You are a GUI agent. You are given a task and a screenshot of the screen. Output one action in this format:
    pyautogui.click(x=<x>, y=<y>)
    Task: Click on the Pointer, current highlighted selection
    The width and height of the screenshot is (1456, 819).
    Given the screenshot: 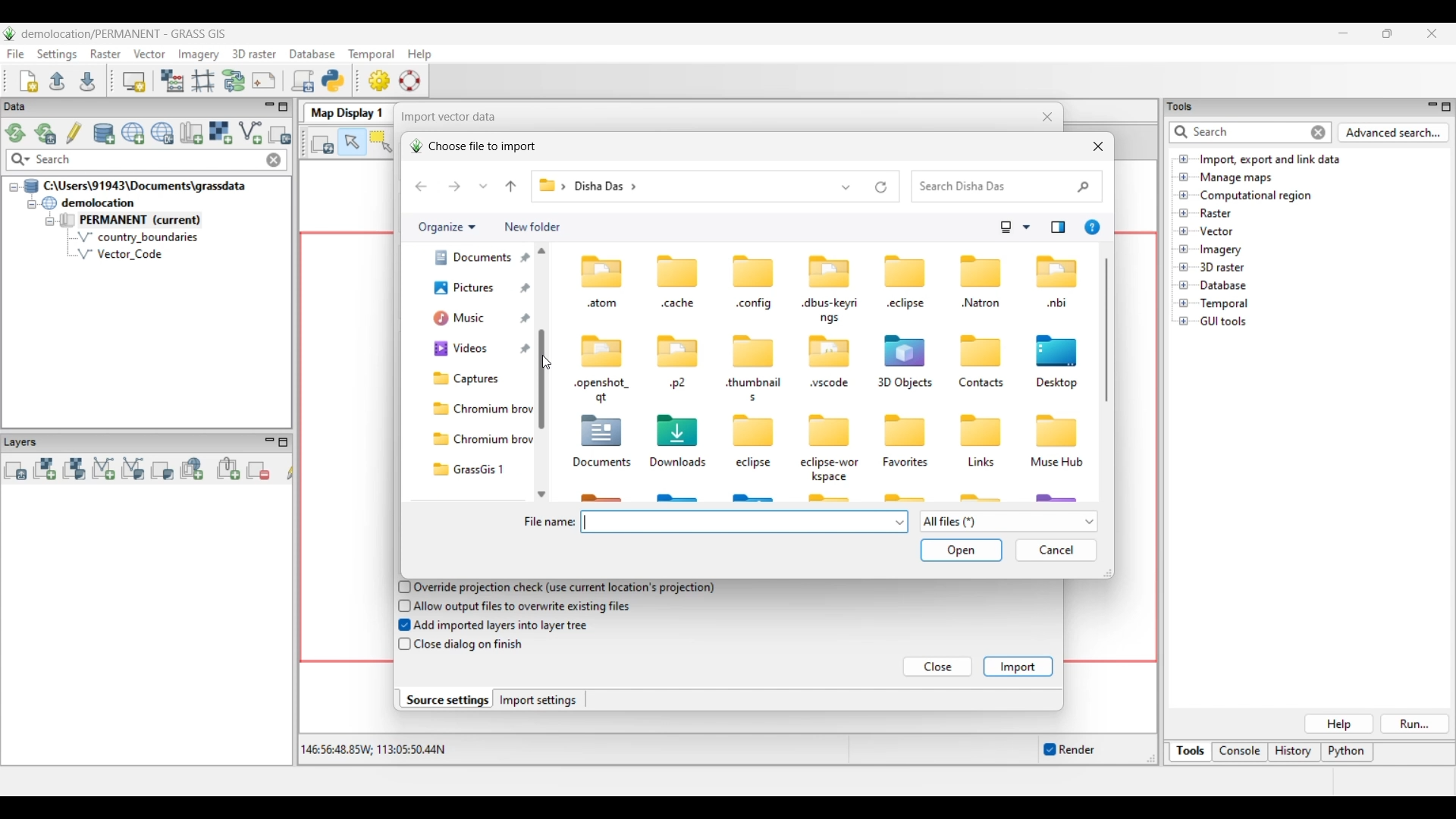 What is the action you would take?
    pyautogui.click(x=352, y=143)
    